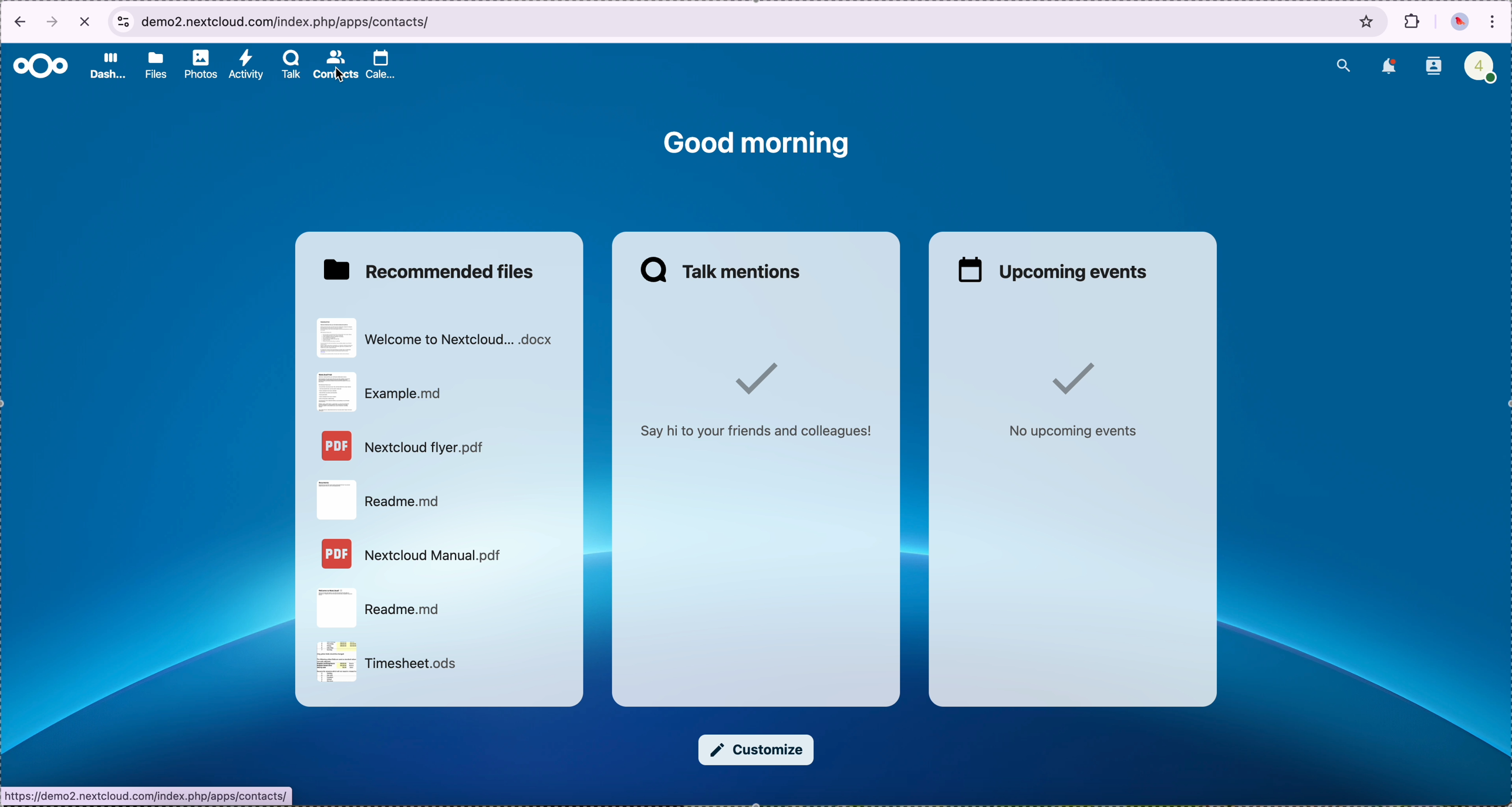 The width and height of the screenshot is (1512, 807). Describe the element at coordinates (288, 66) in the screenshot. I see `Talk` at that location.